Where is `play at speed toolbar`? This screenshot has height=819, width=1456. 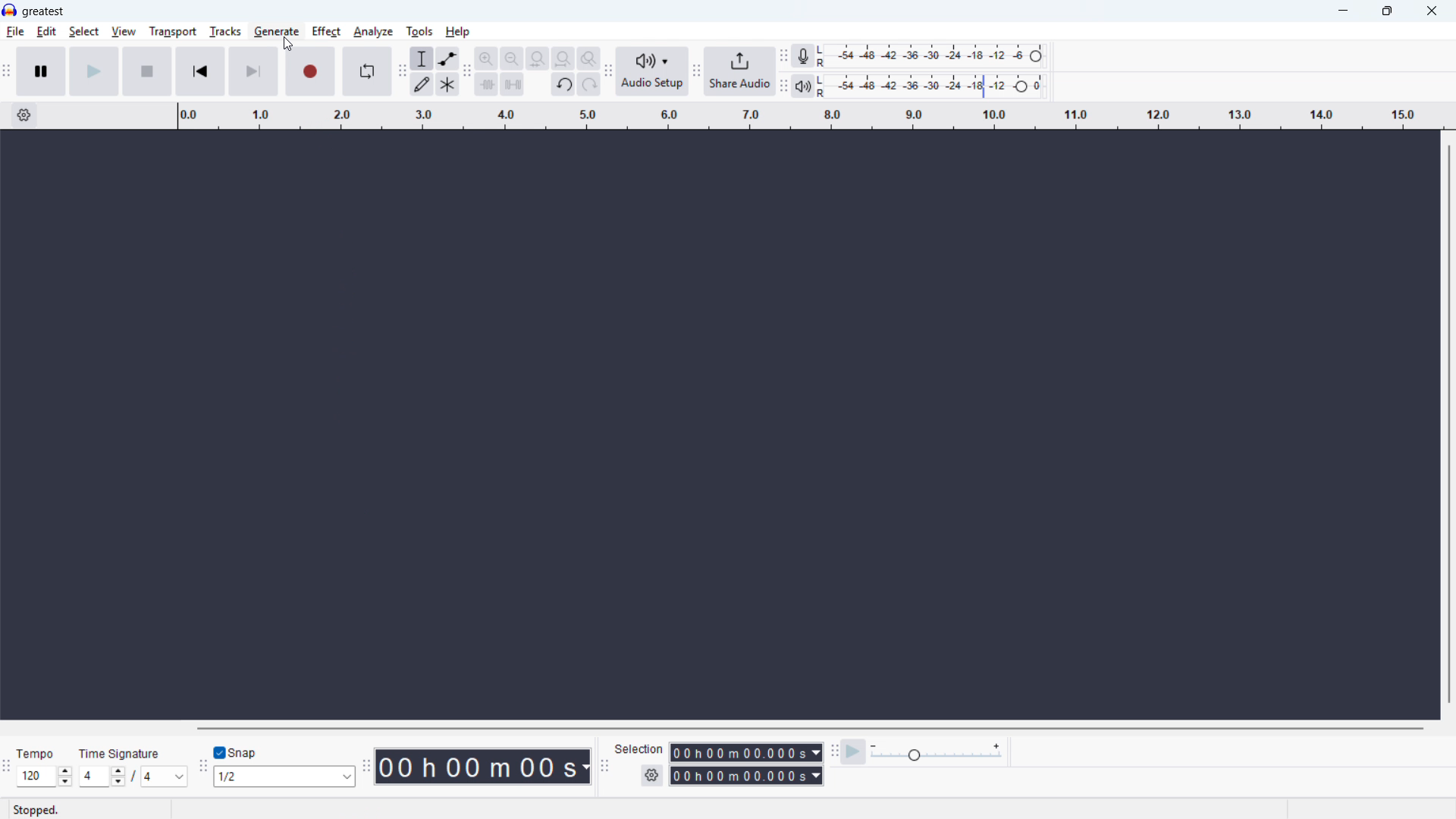 play at speed toolbar is located at coordinates (835, 752).